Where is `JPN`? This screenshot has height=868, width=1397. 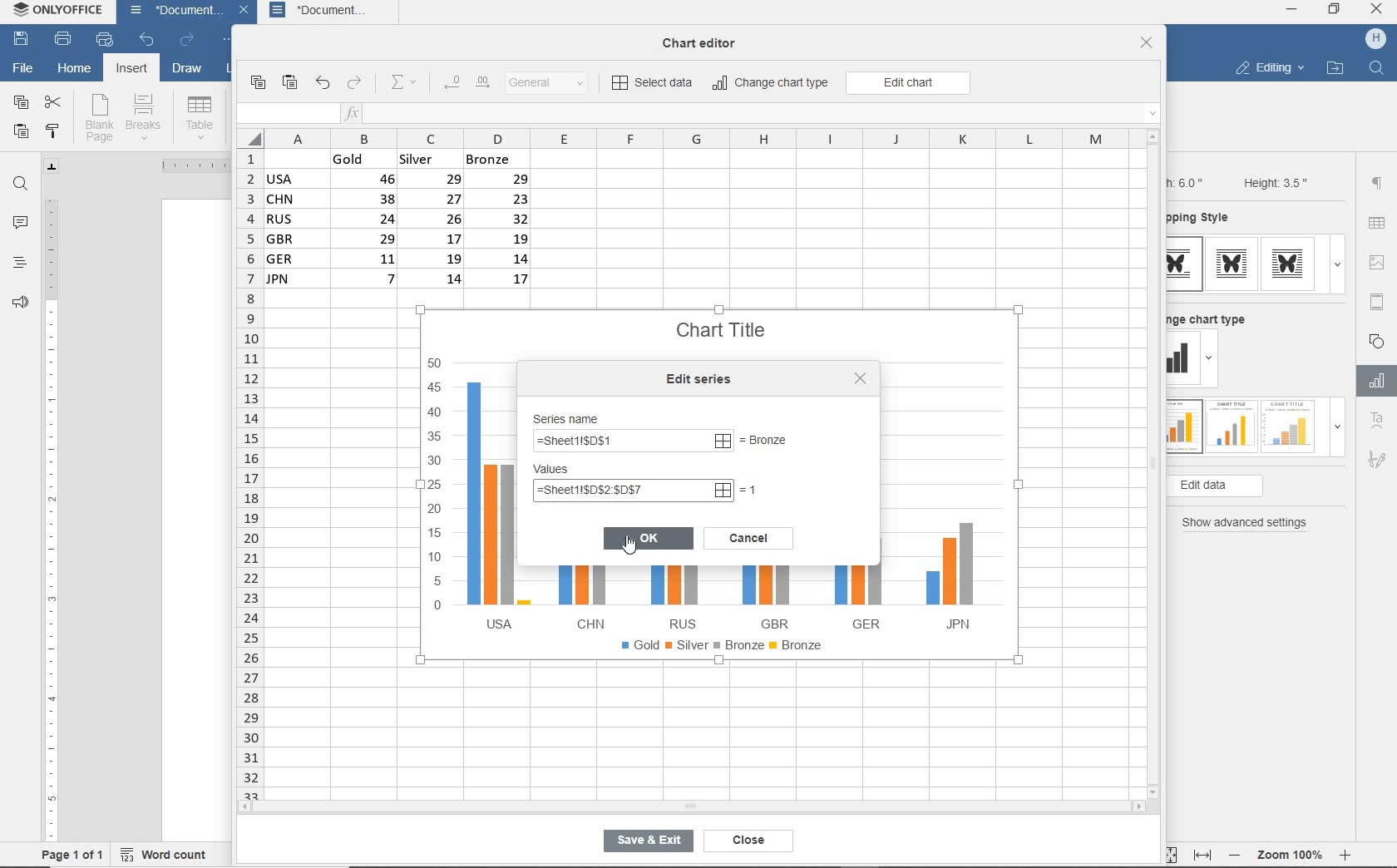 JPN is located at coordinates (945, 579).